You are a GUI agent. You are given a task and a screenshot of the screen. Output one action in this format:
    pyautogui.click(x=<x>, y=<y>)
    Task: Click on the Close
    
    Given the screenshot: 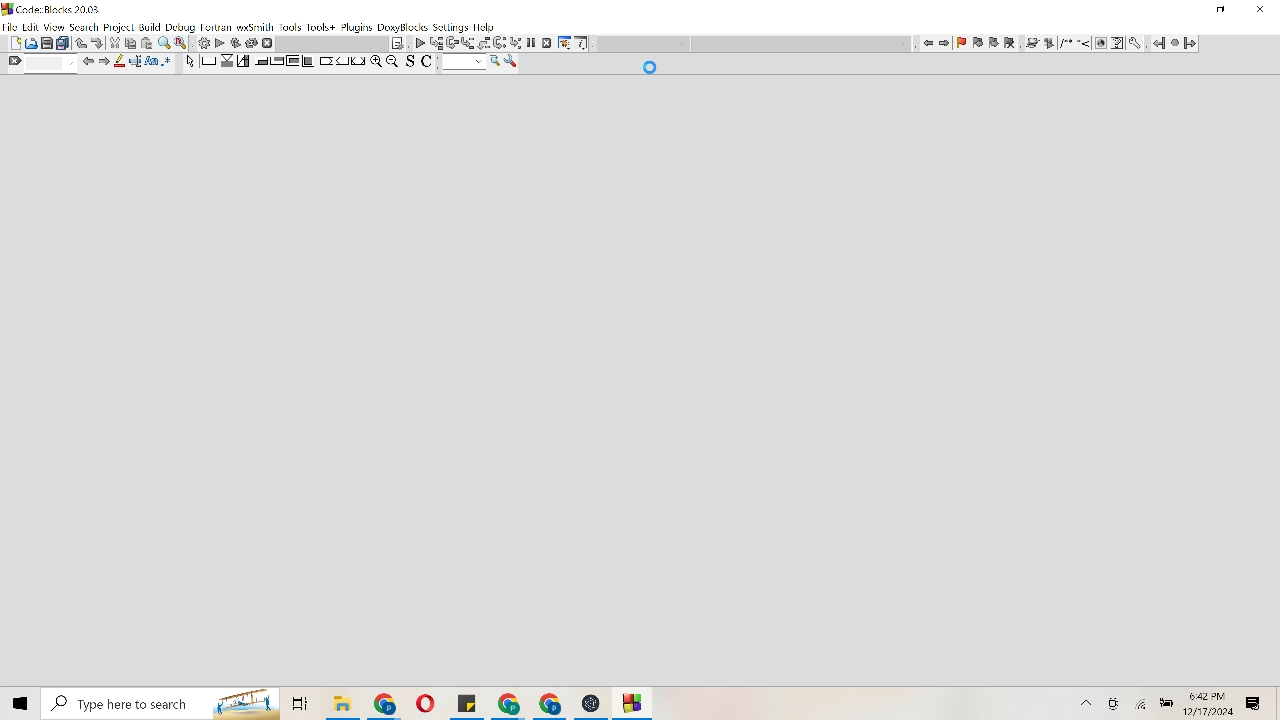 What is the action you would take?
    pyautogui.click(x=1261, y=10)
    